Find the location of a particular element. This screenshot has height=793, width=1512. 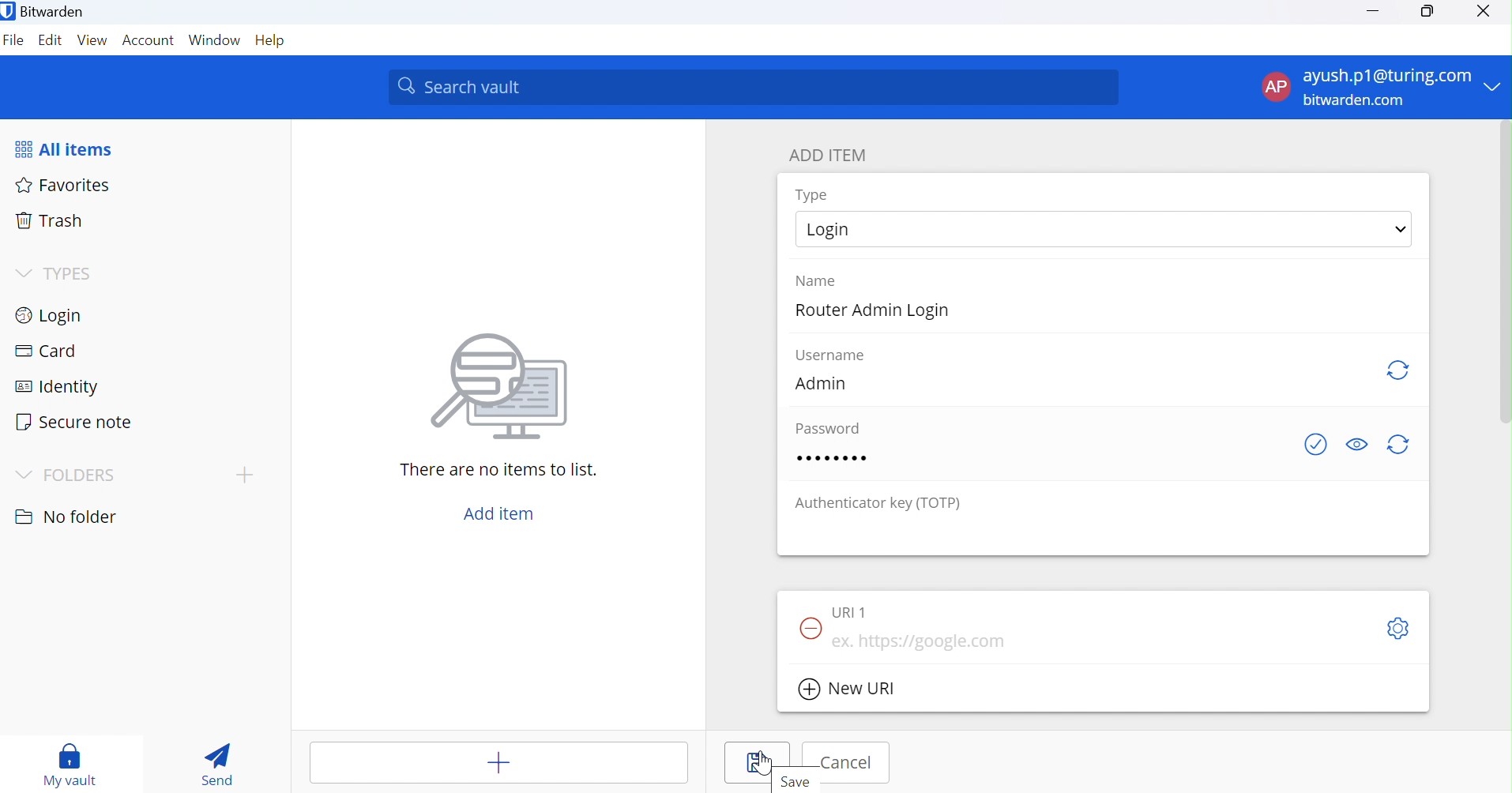

Save is located at coordinates (758, 762).